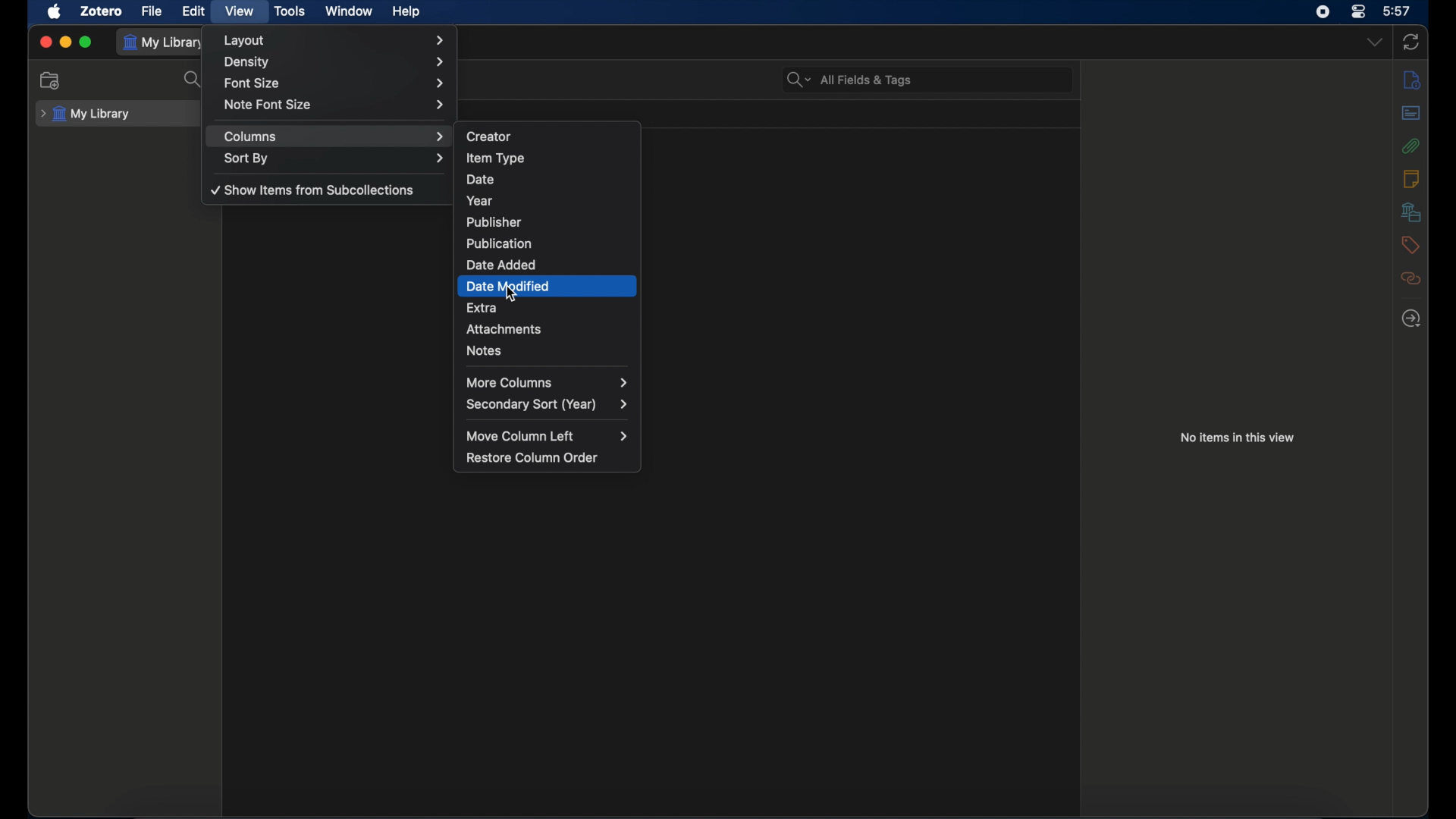 Image resolution: width=1456 pixels, height=819 pixels. Describe the element at coordinates (337, 105) in the screenshot. I see `note font size` at that location.